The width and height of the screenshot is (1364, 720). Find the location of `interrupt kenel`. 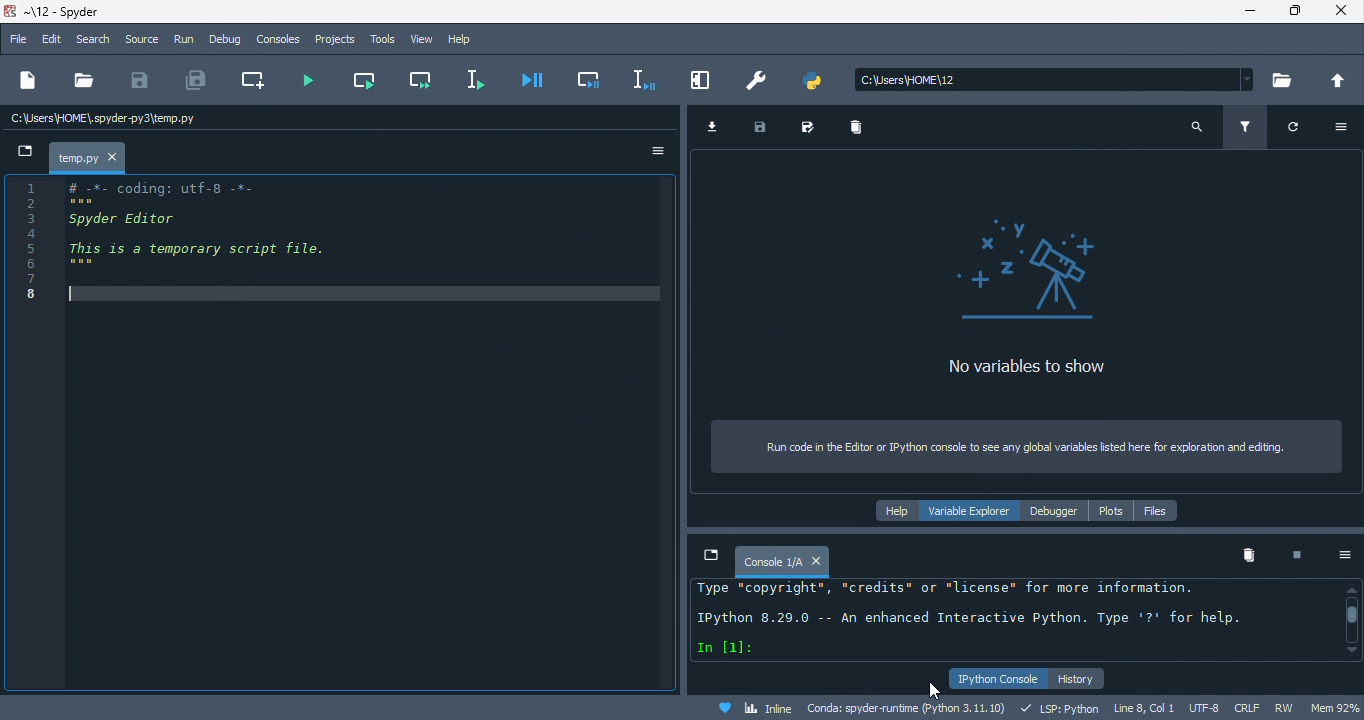

interrupt kenel is located at coordinates (1289, 556).